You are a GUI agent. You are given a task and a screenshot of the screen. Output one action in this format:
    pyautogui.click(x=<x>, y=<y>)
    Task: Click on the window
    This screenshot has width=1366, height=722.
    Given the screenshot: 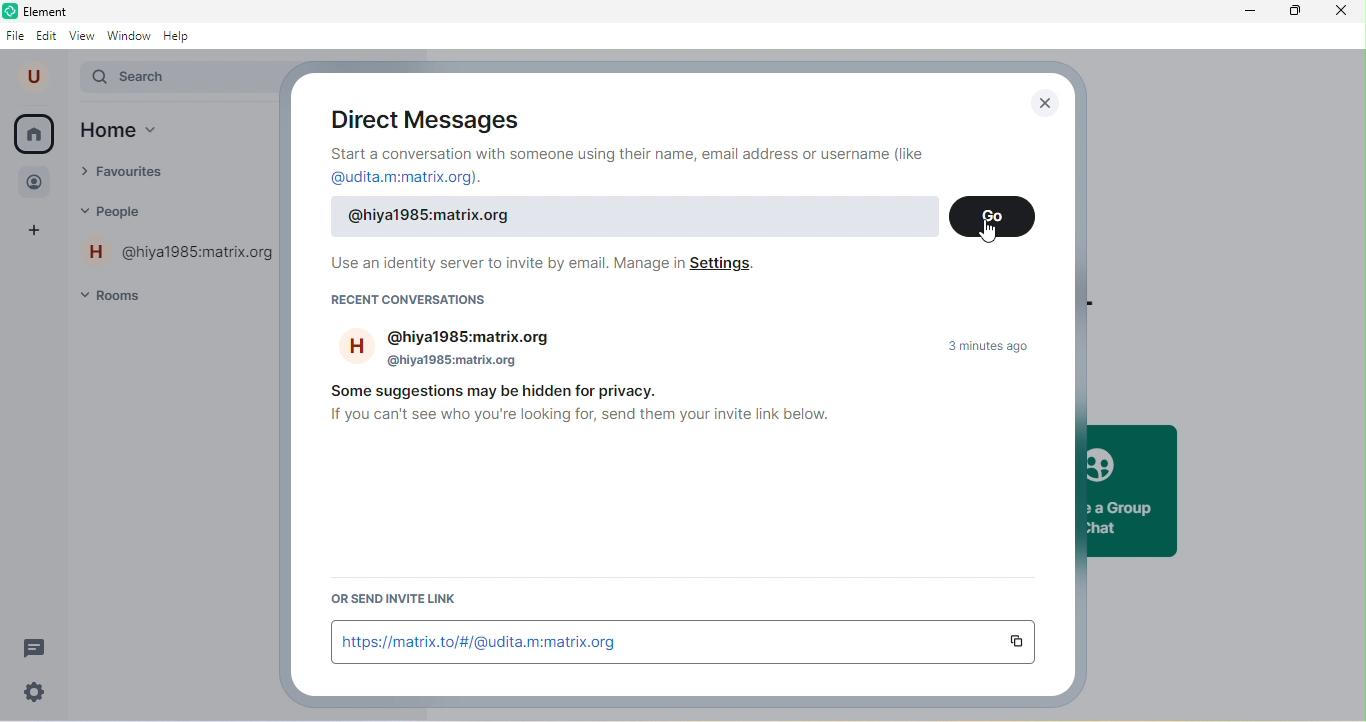 What is the action you would take?
    pyautogui.click(x=129, y=35)
    